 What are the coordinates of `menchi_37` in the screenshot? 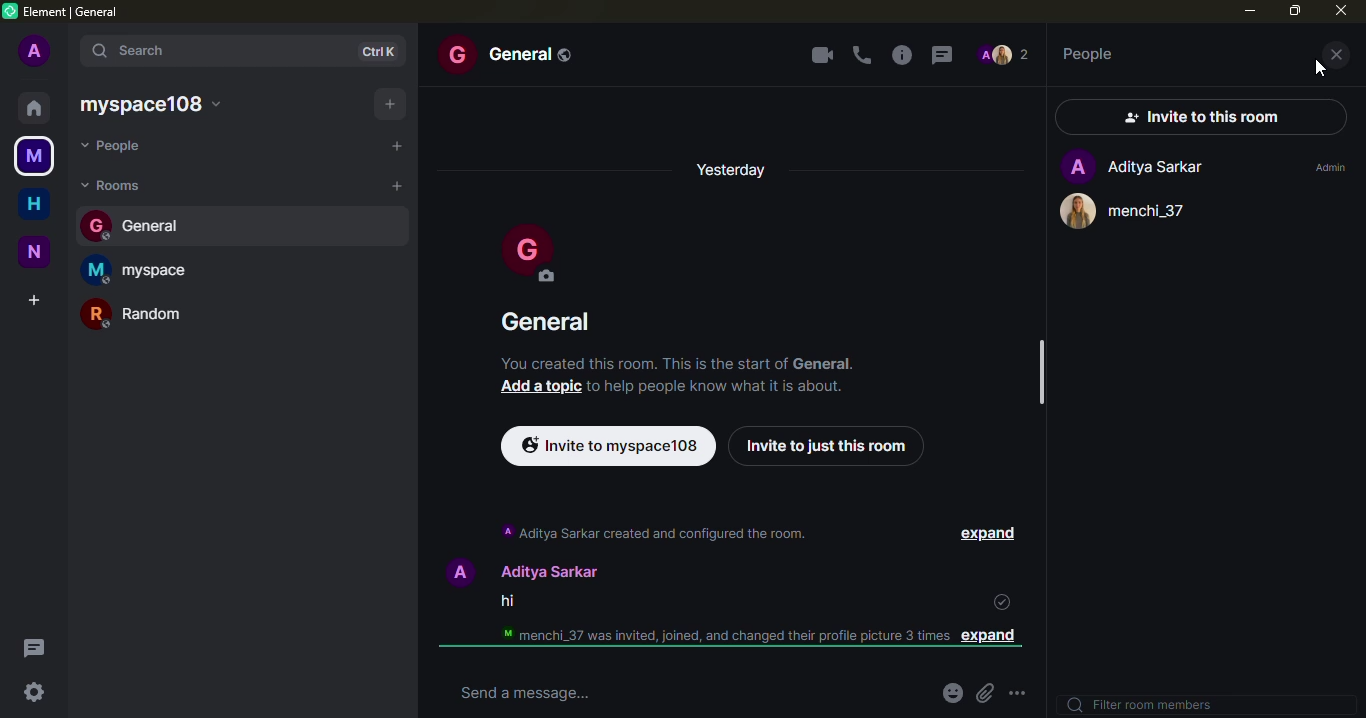 It's located at (1130, 212).